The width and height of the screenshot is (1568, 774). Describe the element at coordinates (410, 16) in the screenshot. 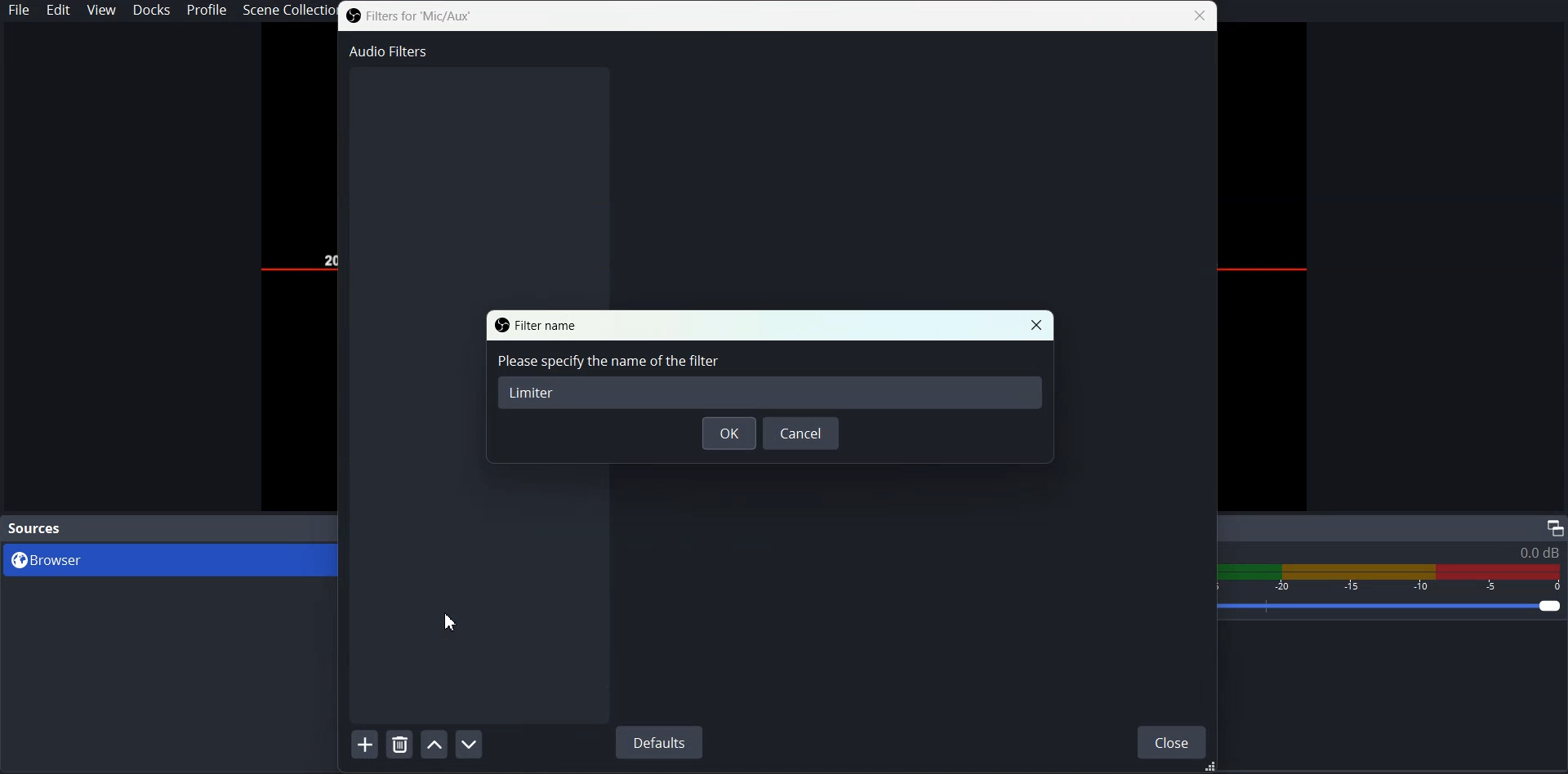

I see `Filter for 'Mic/Aux'` at that location.